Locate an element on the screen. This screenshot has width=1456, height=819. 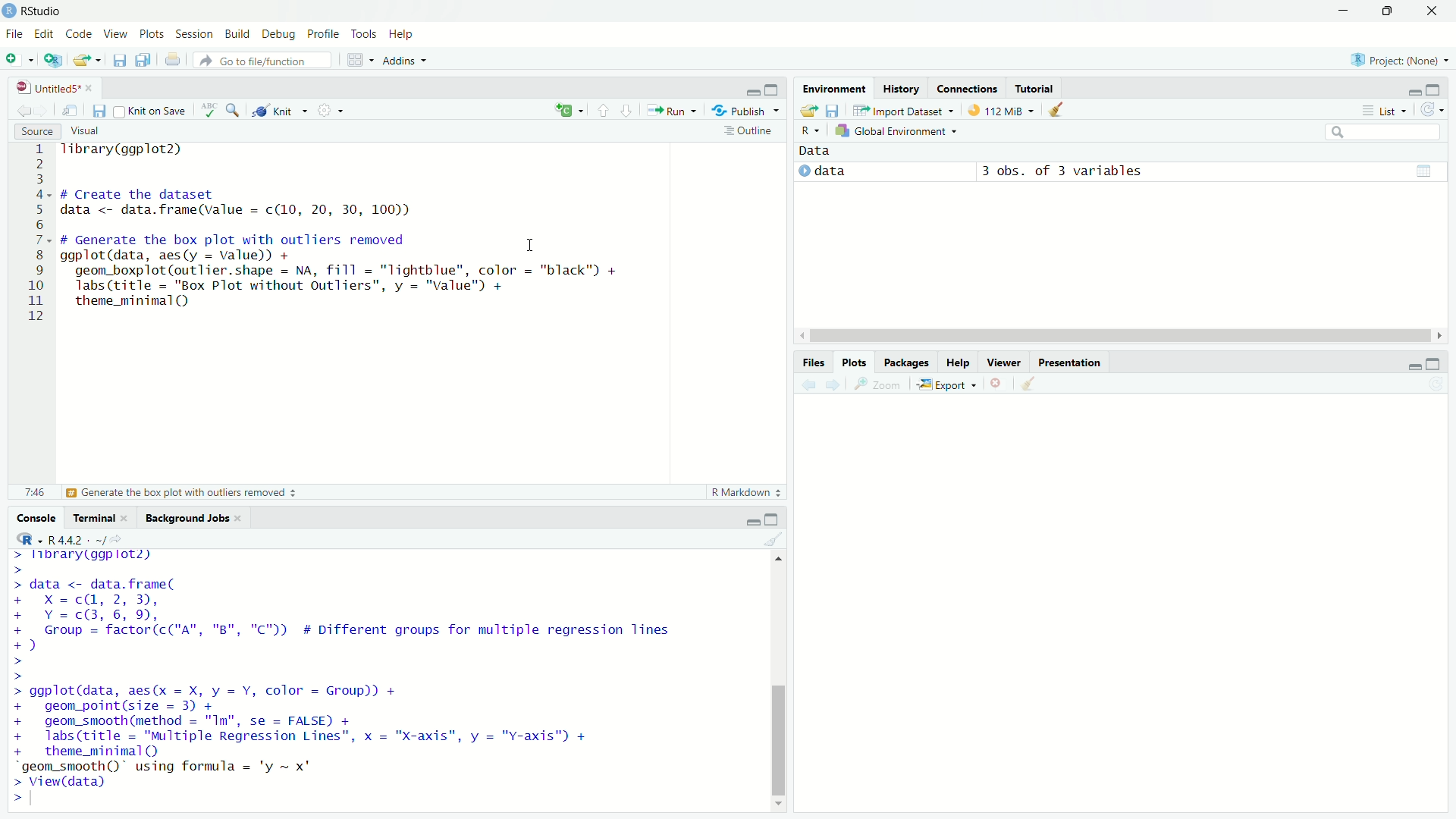
Presentation is located at coordinates (1069, 360).